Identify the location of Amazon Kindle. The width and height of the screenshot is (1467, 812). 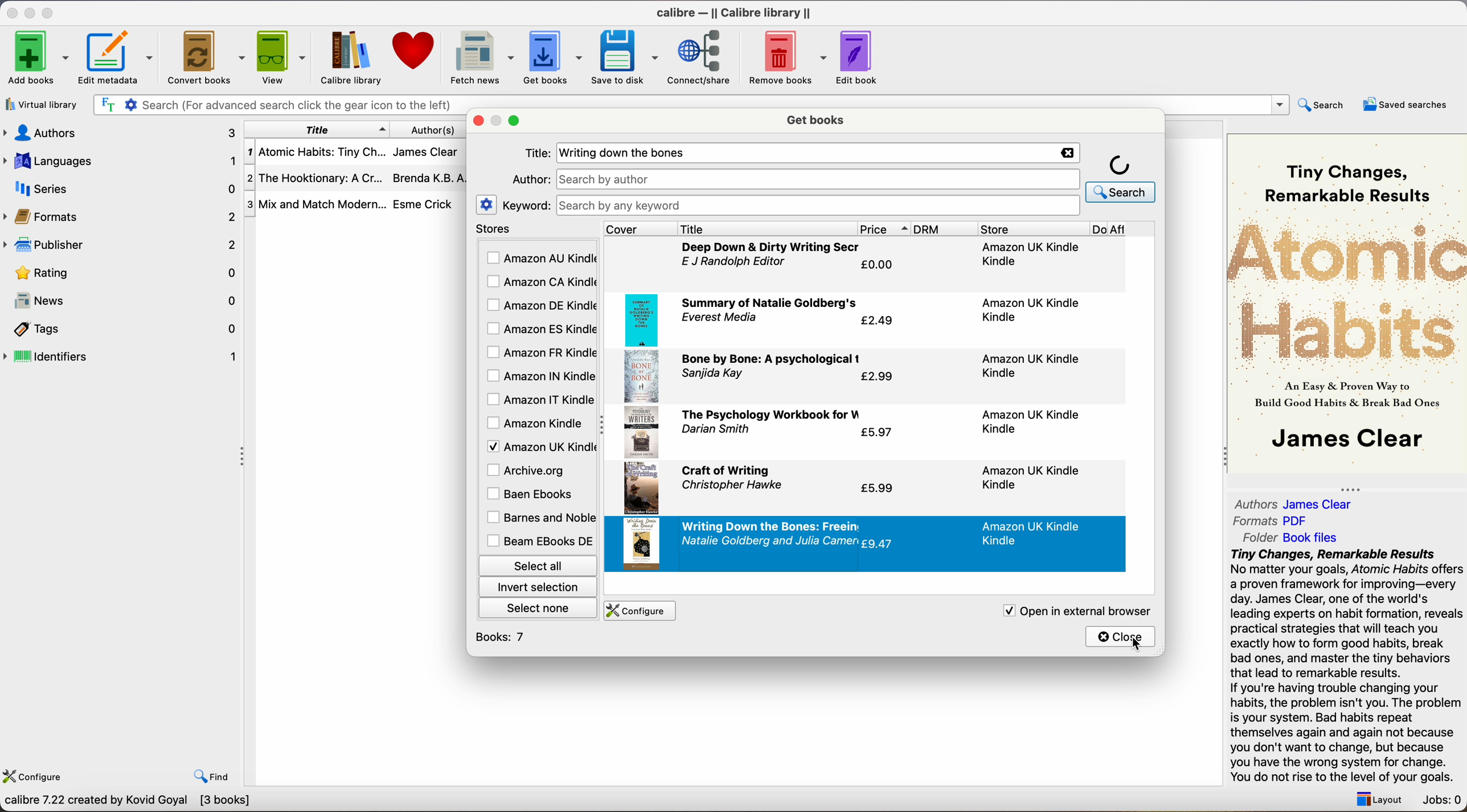
(536, 423).